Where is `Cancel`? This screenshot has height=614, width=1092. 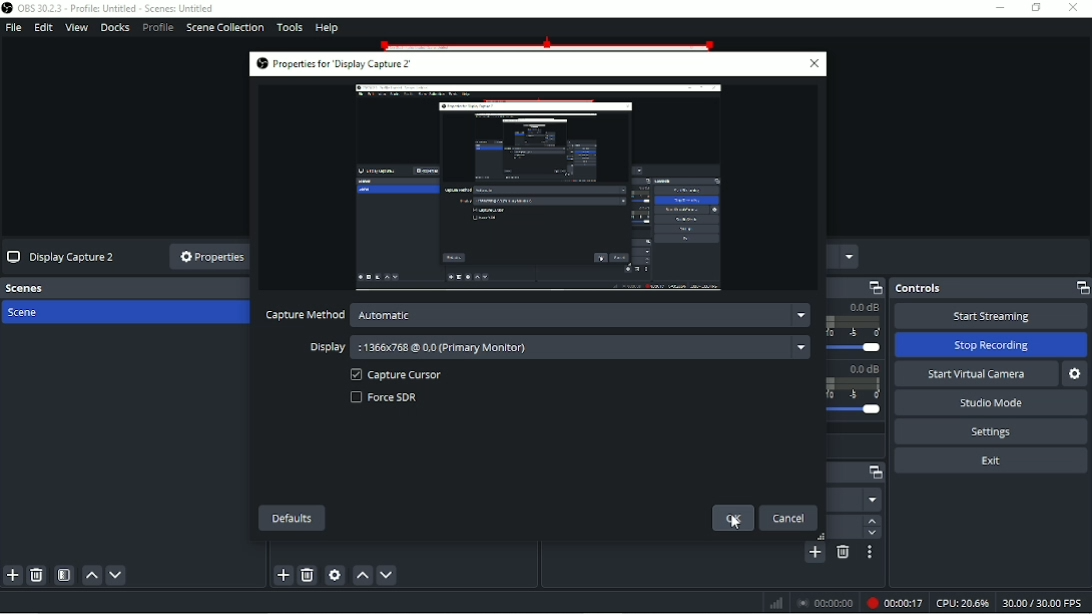 Cancel is located at coordinates (791, 518).